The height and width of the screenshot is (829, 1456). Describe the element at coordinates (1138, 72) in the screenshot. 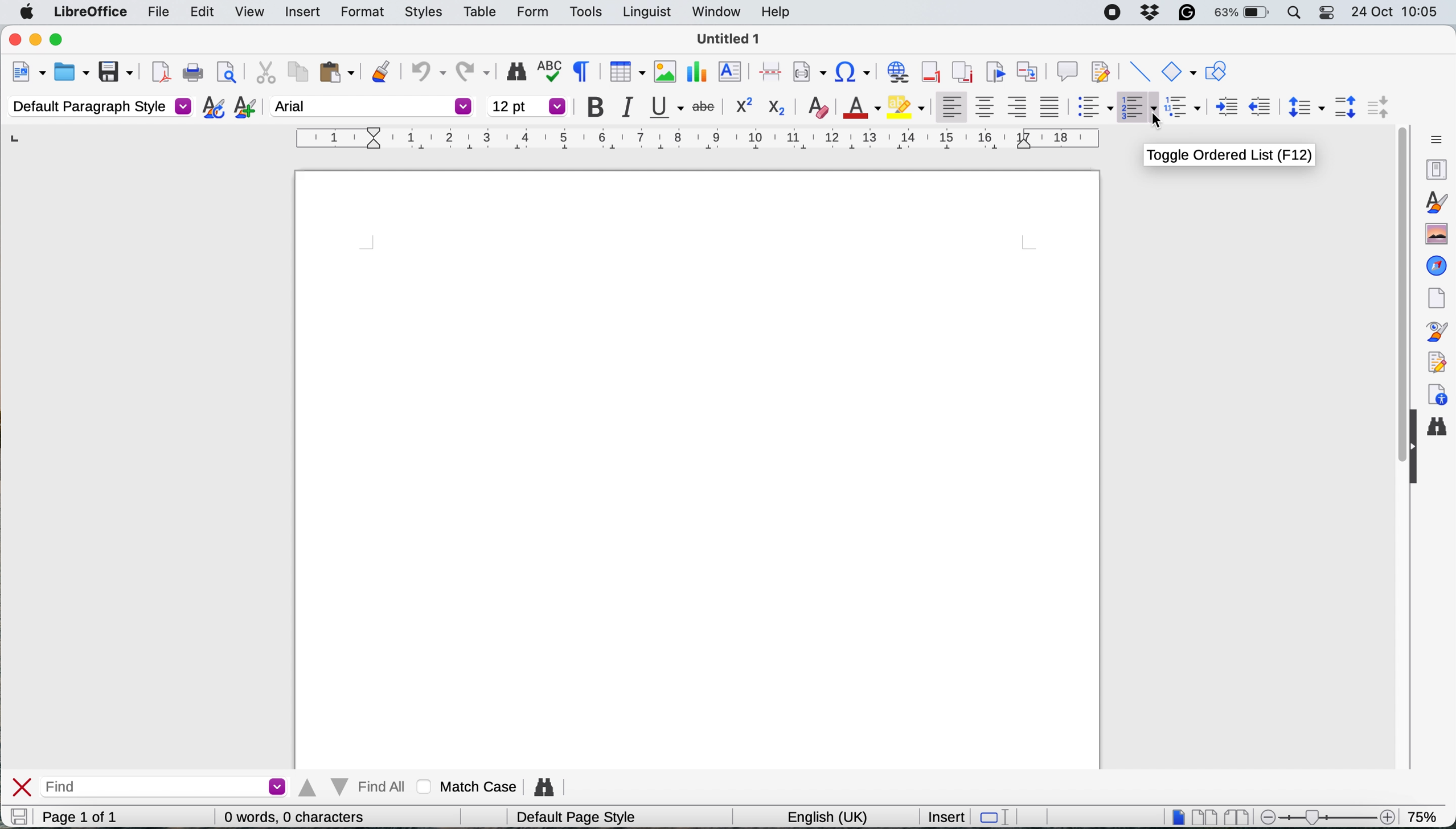

I see `insert line` at that location.